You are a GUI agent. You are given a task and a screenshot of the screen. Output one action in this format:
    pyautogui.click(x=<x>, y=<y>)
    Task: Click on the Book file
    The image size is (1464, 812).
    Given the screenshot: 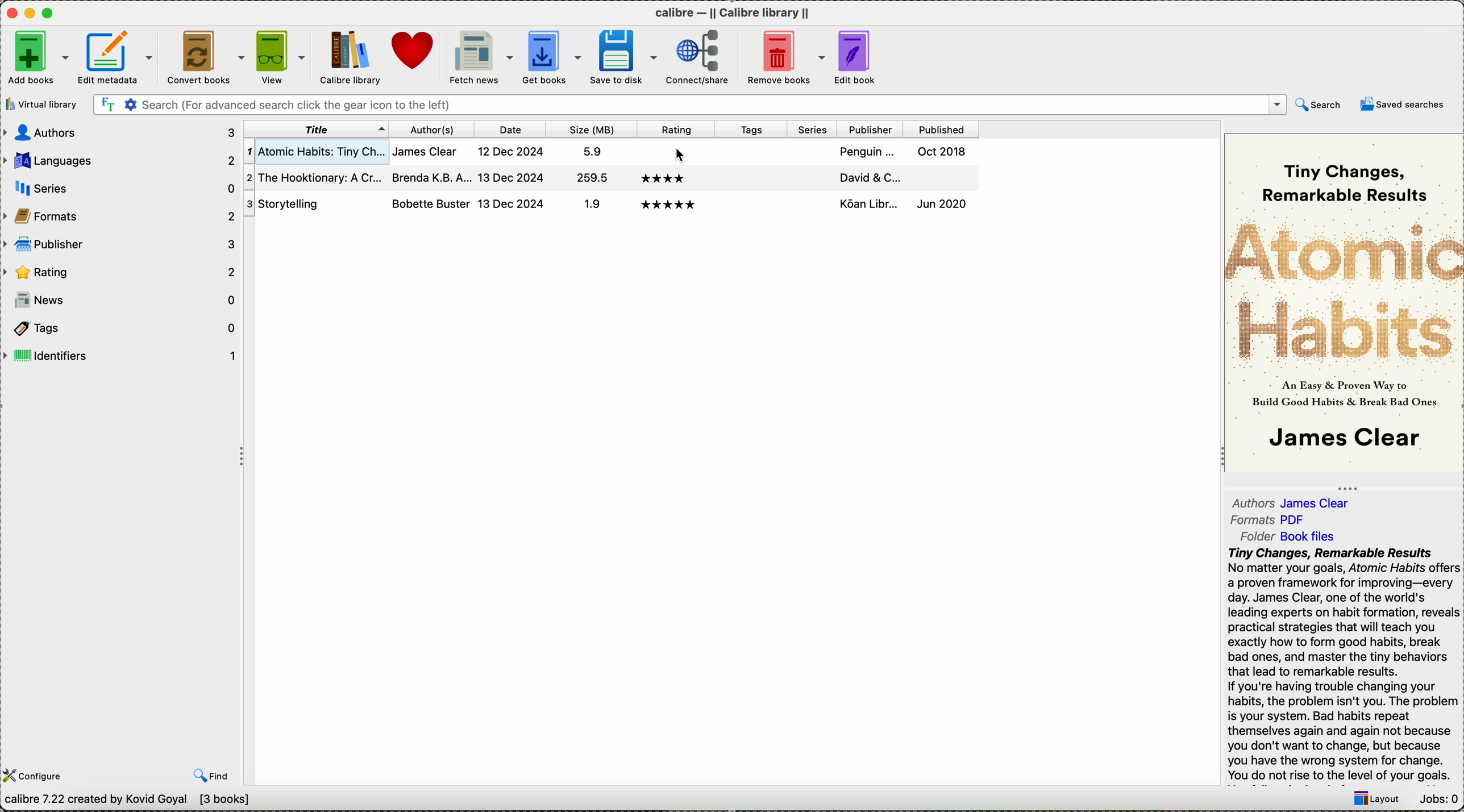 What is the action you would take?
    pyautogui.click(x=1308, y=538)
    